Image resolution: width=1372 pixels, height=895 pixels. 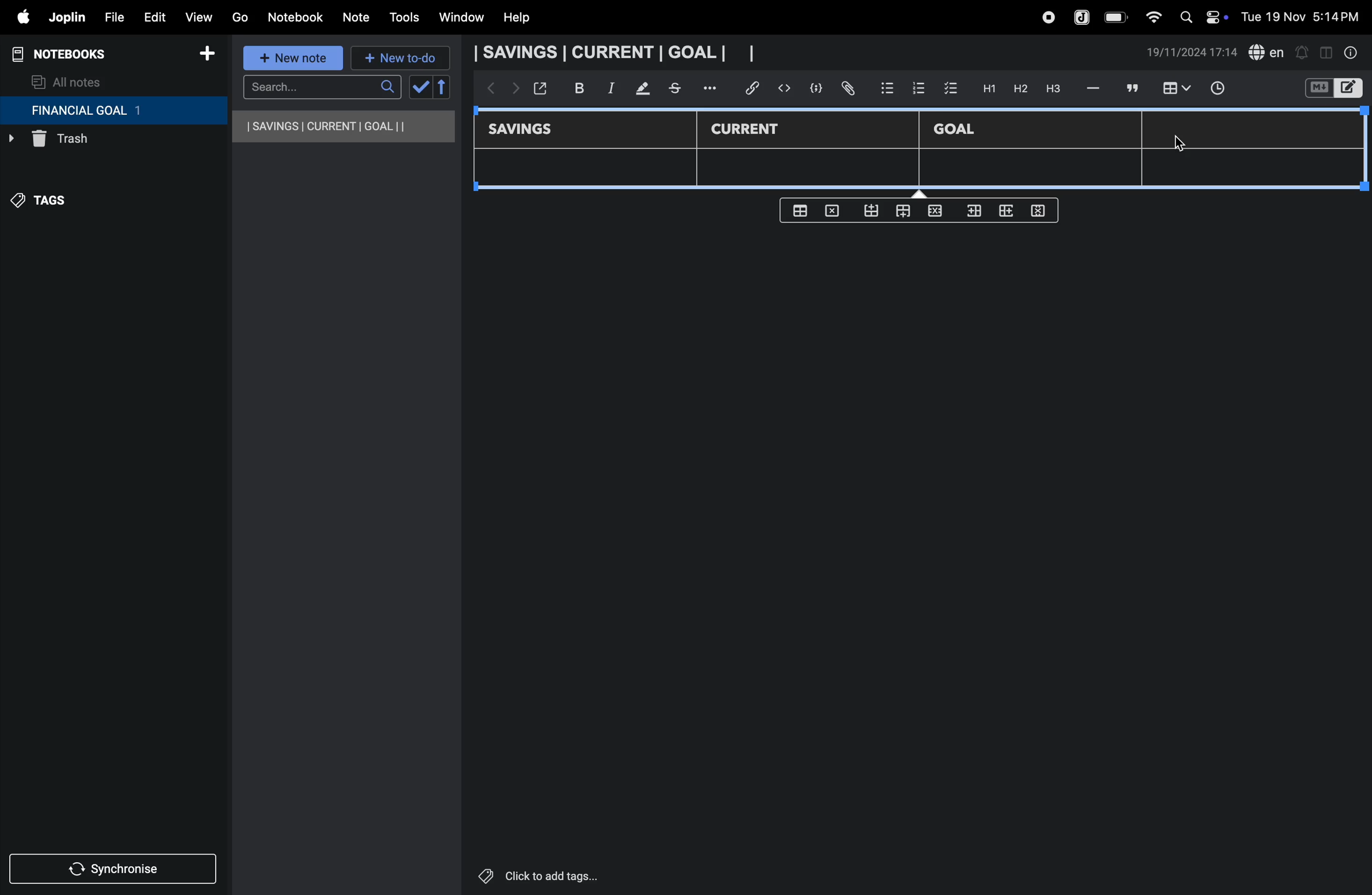 I want to click on date and time, so click(x=1192, y=52).